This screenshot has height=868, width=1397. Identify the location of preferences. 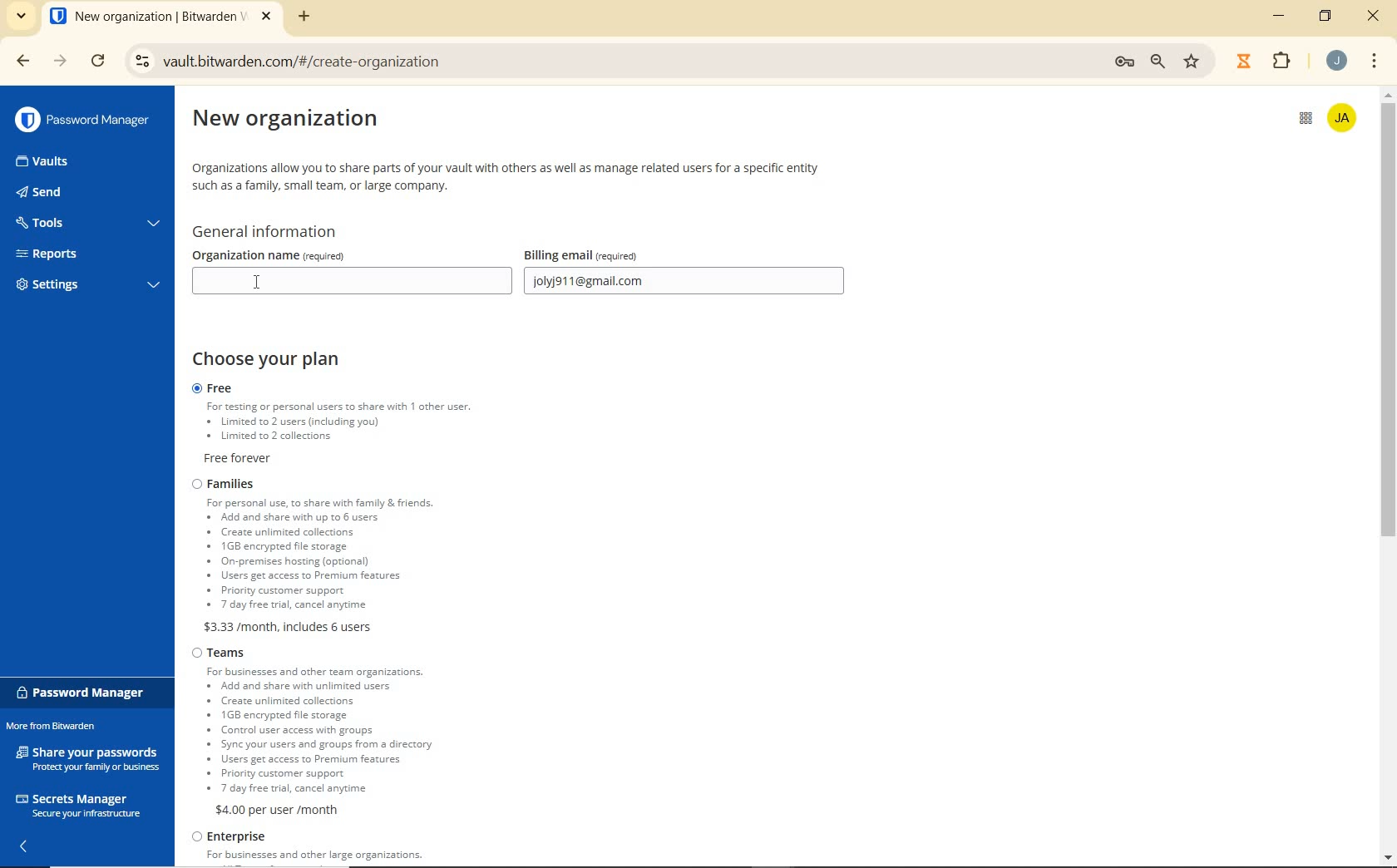
(1123, 62).